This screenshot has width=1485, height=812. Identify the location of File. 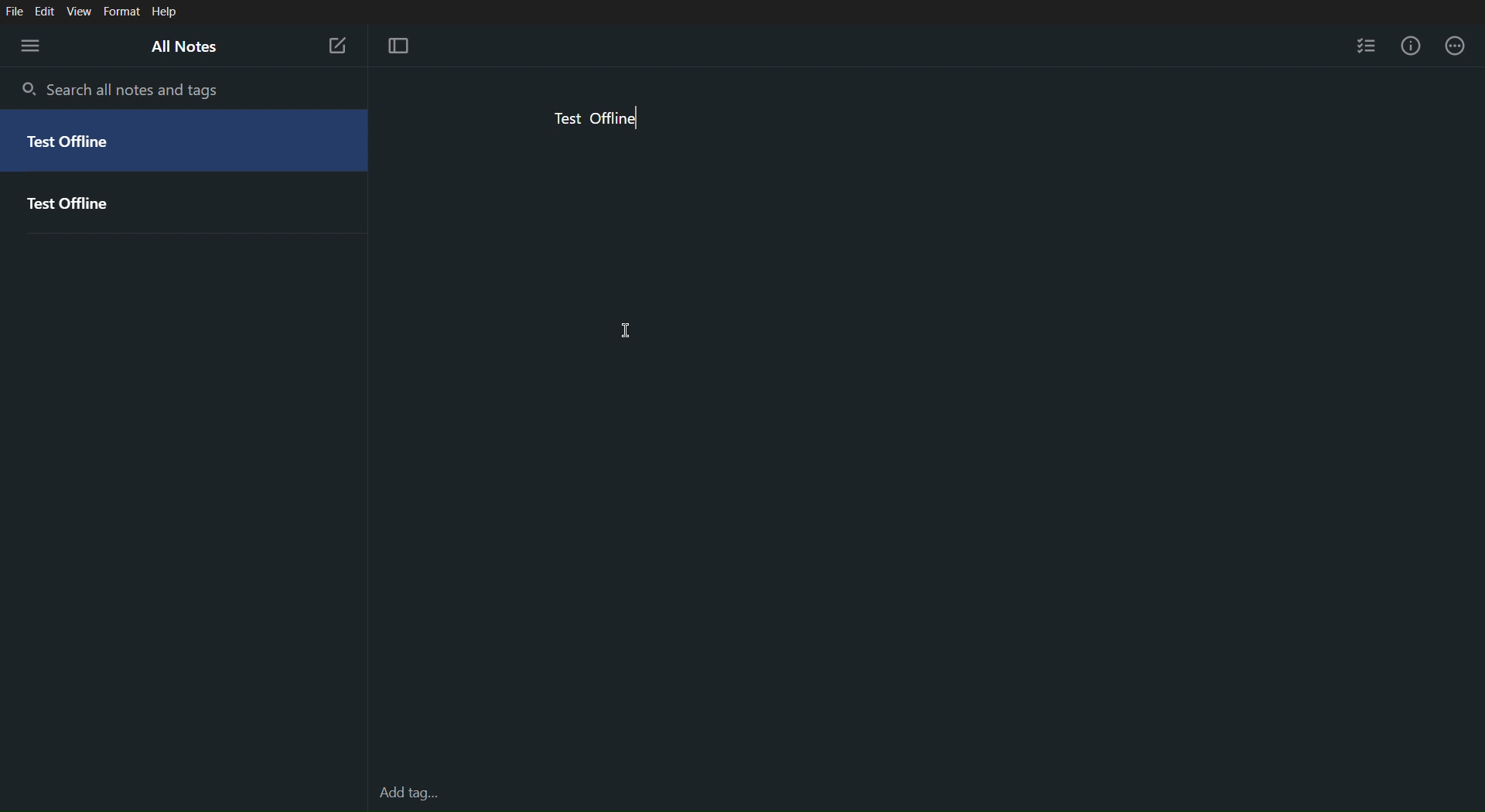
(15, 9).